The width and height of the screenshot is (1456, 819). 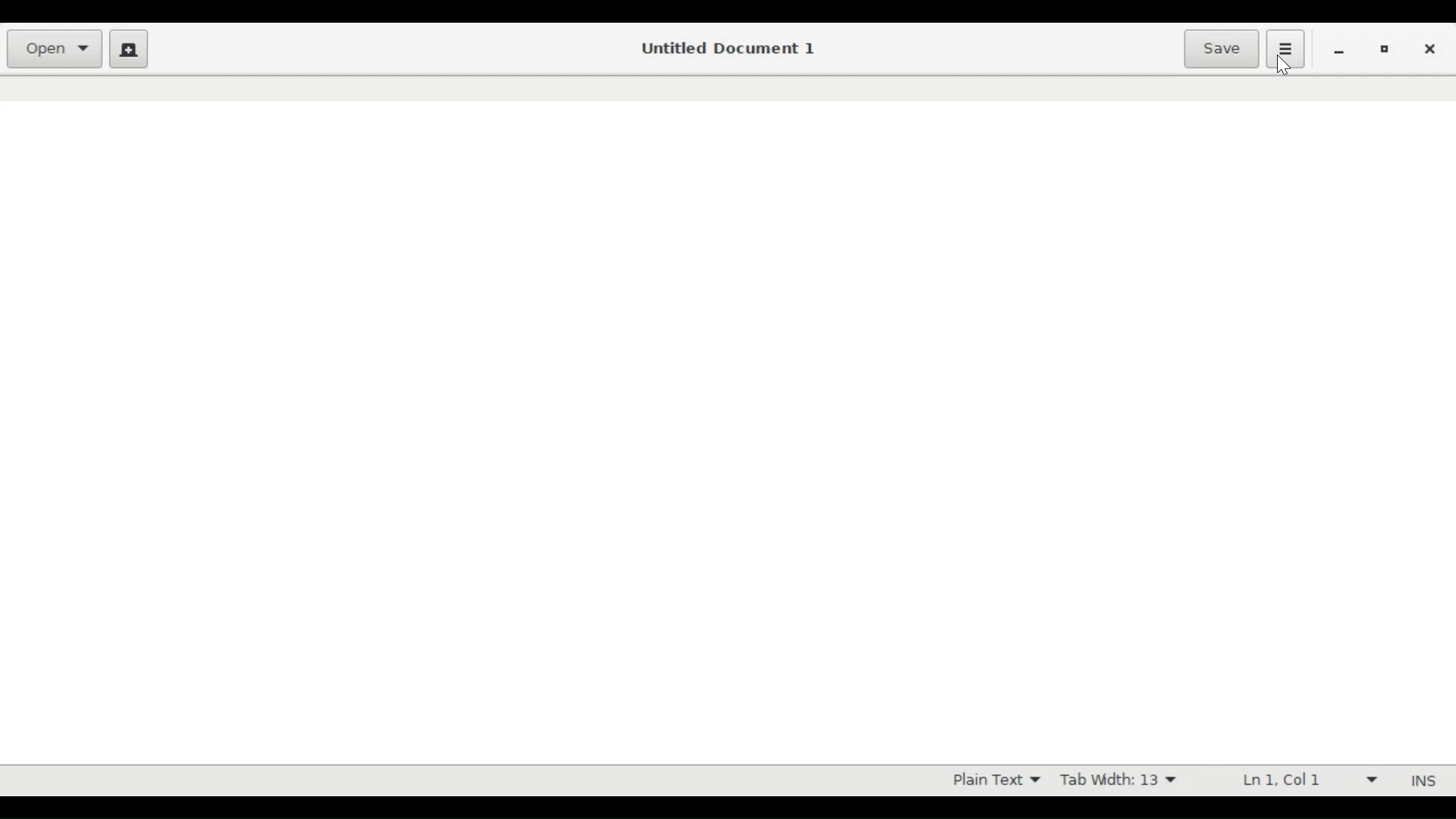 I want to click on Save, so click(x=1220, y=49).